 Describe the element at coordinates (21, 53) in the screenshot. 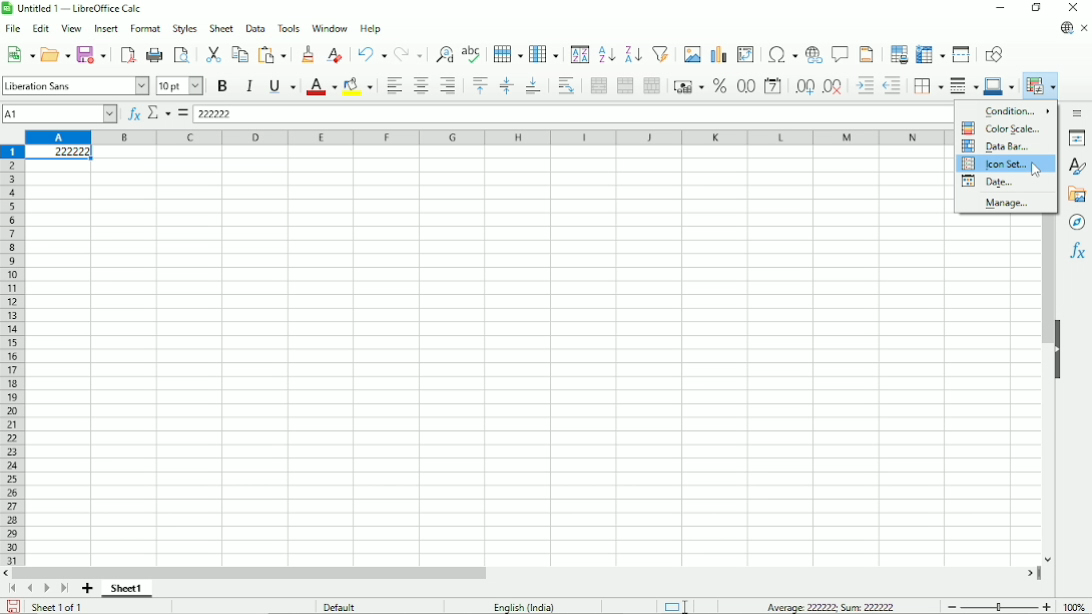

I see `New` at that location.